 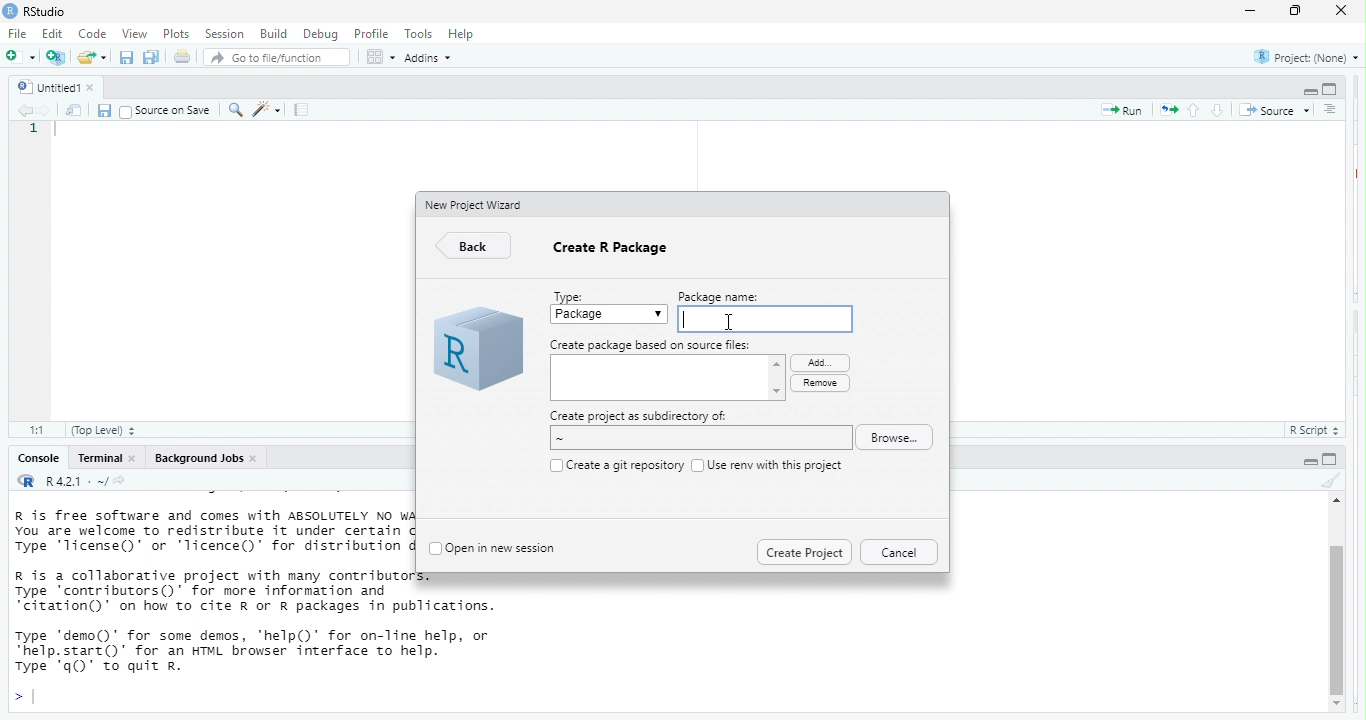 I want to click on Type, so click(x=572, y=294).